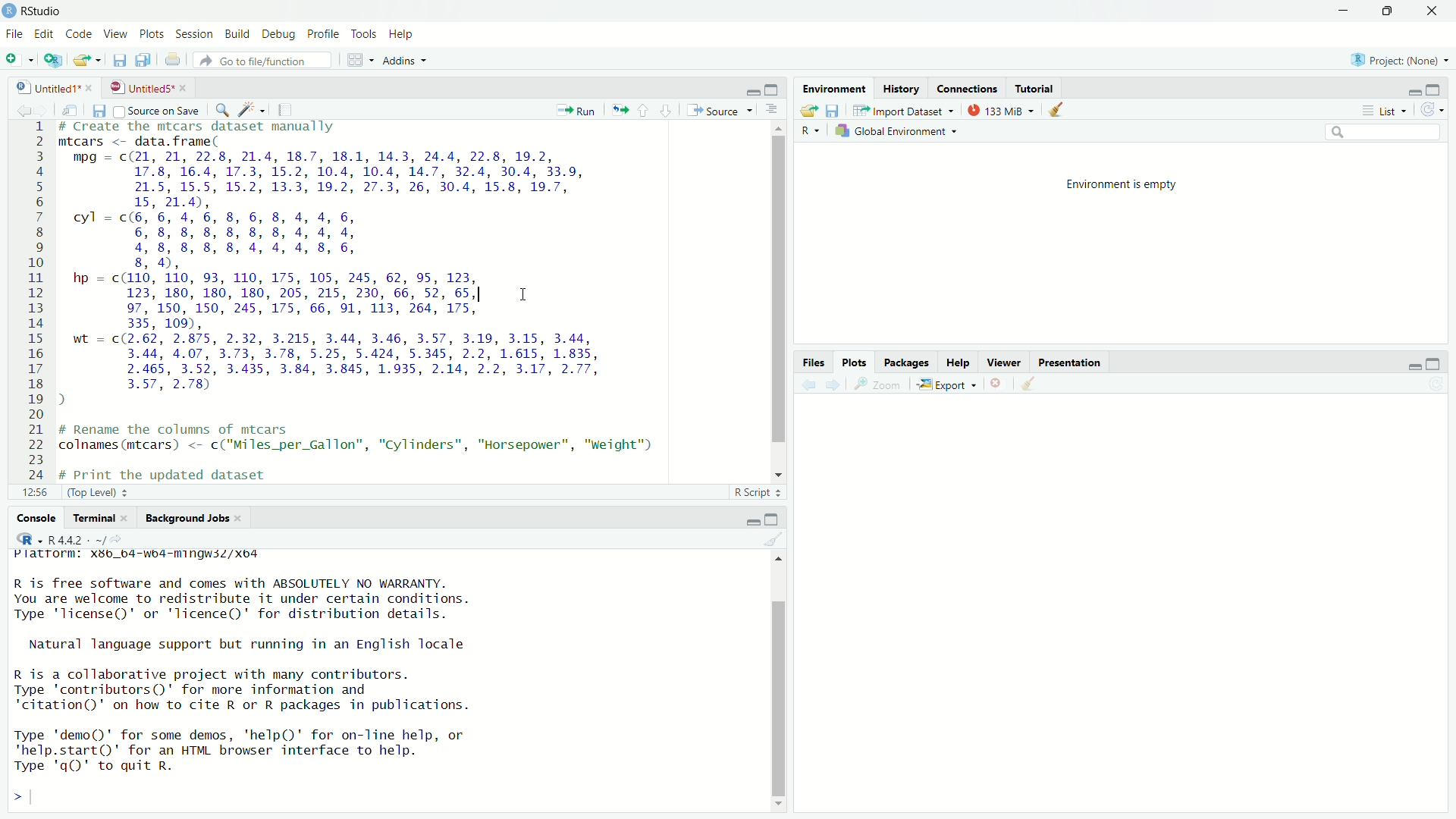  What do you see at coordinates (810, 130) in the screenshot?
I see `R~` at bounding box center [810, 130].